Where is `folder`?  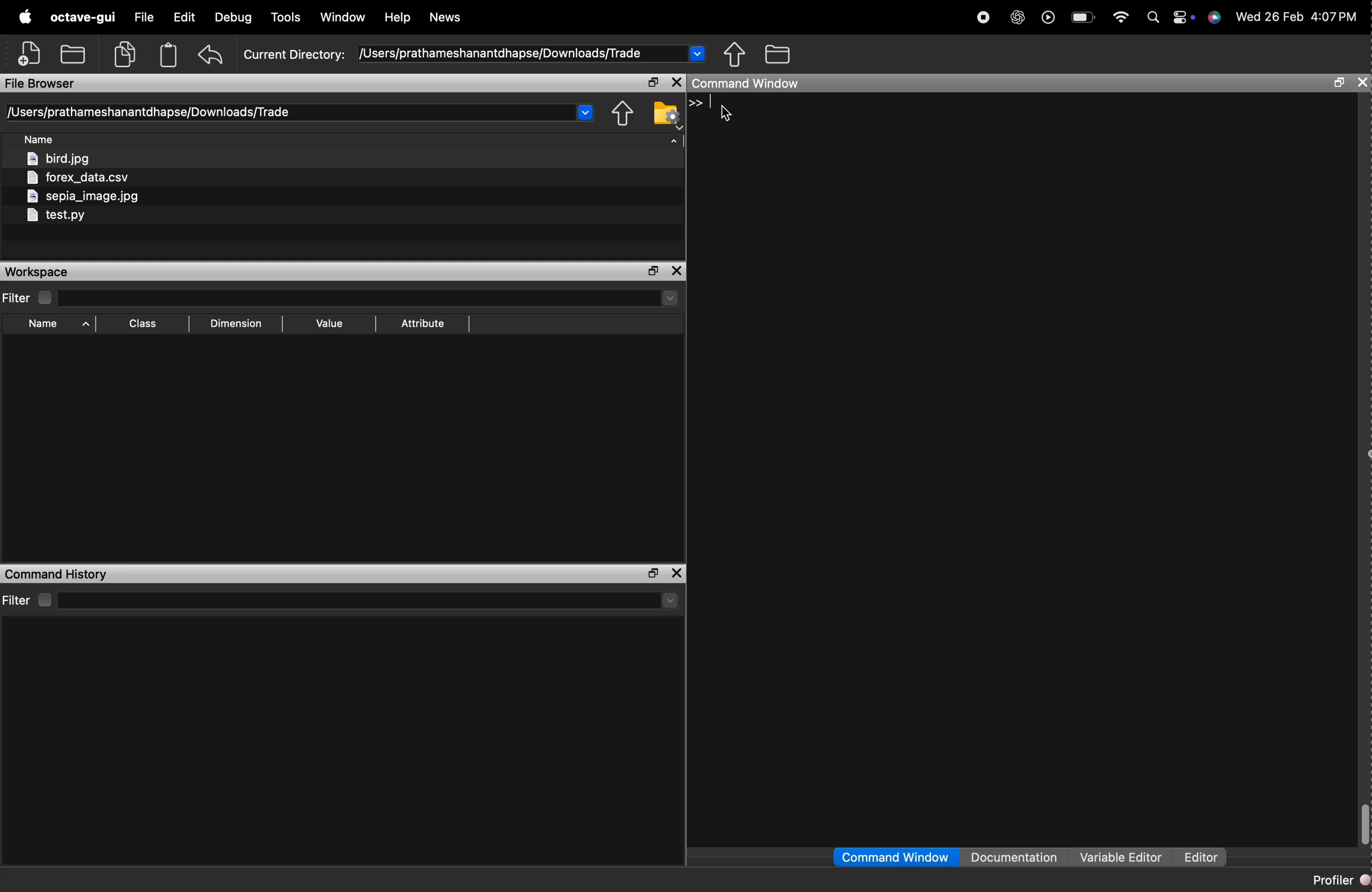 folder is located at coordinates (777, 54).